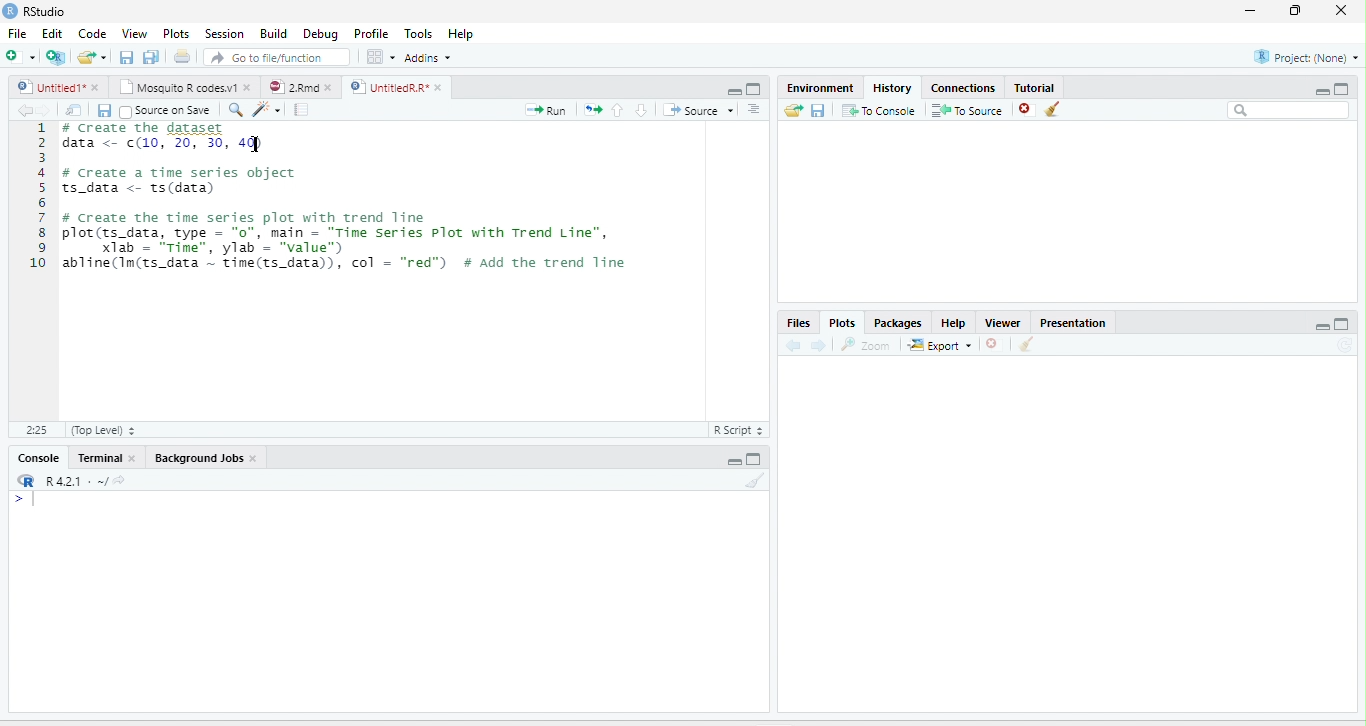 The height and width of the screenshot is (726, 1366). Describe the element at coordinates (302, 110) in the screenshot. I see `Compile Report` at that location.